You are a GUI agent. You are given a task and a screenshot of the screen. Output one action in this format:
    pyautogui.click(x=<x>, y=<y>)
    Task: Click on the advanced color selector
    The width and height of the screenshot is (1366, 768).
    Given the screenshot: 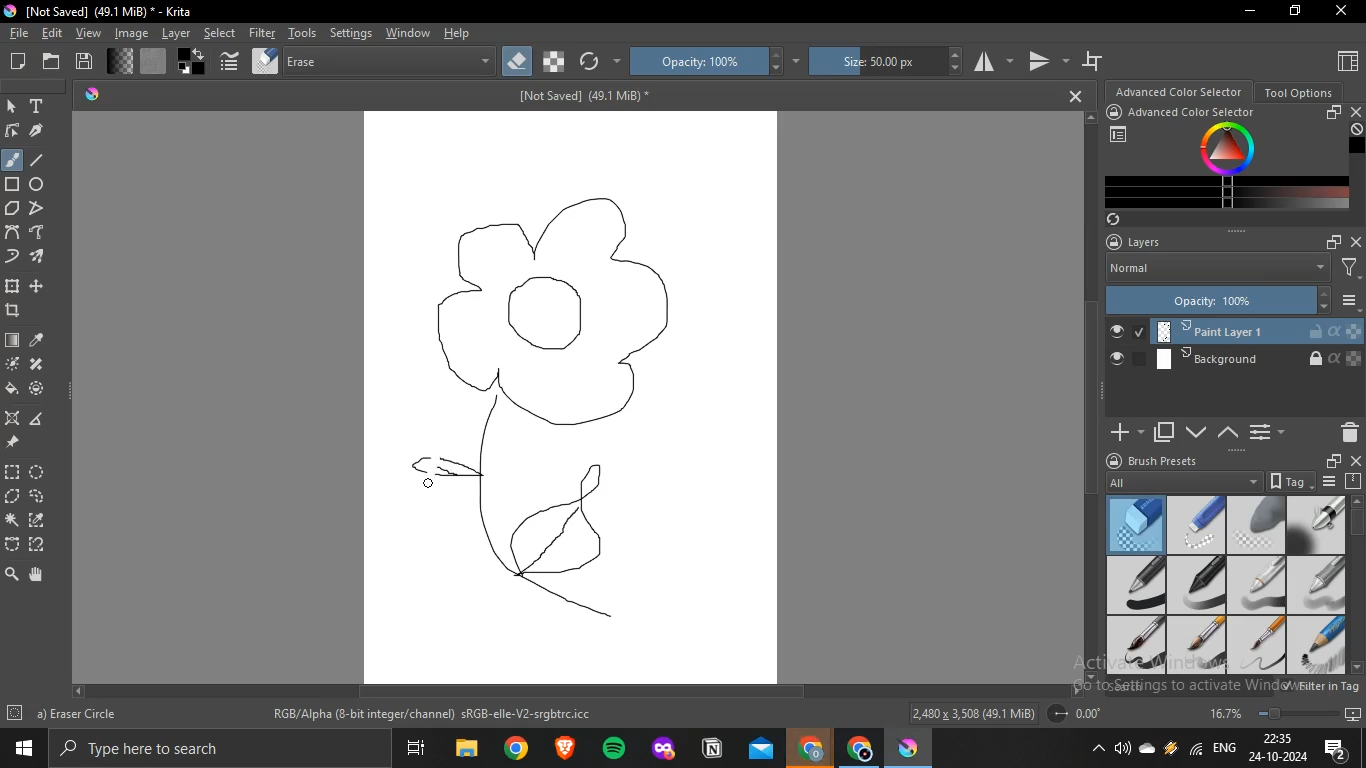 What is the action you would take?
    pyautogui.click(x=1198, y=112)
    